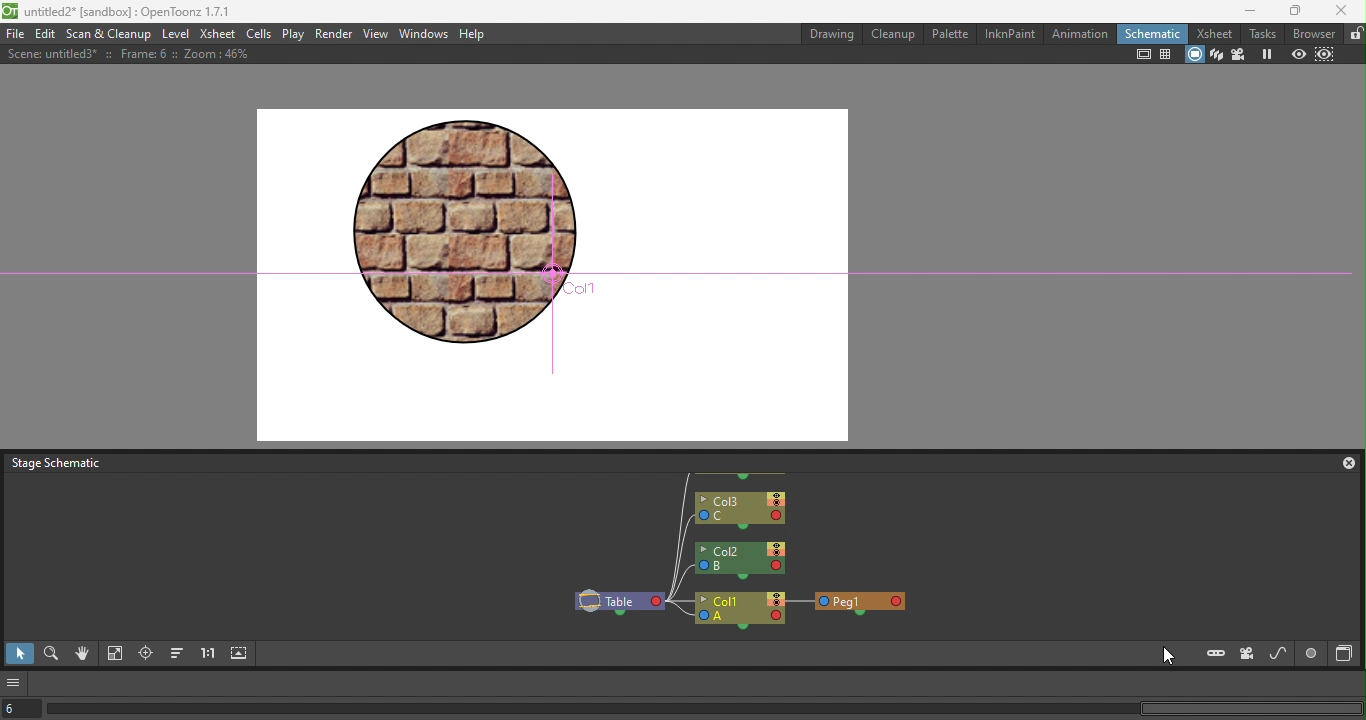  Describe the element at coordinates (1312, 654) in the screenshot. I see `Switch output post display mode` at that location.